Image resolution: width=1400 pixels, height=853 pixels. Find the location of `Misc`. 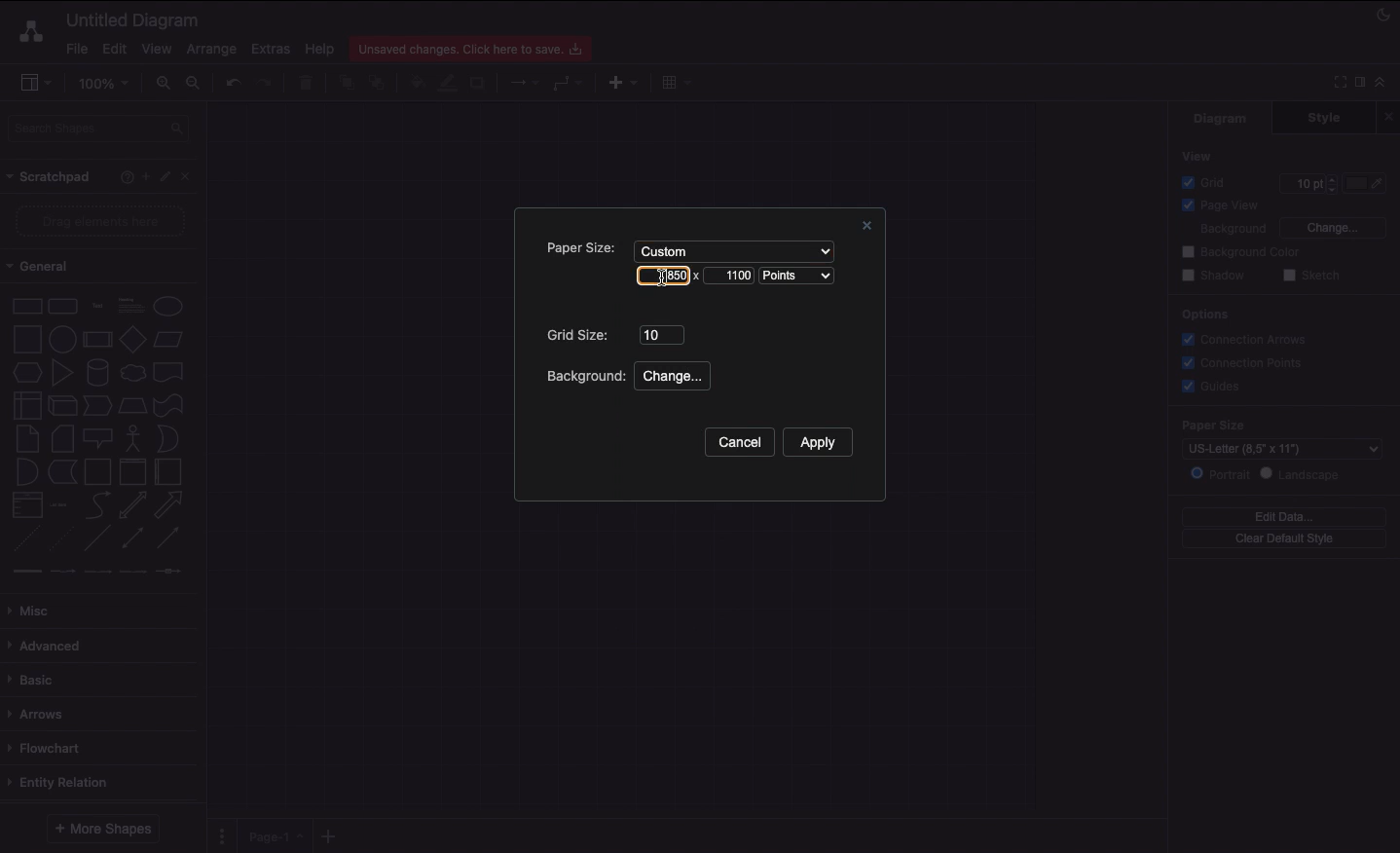

Misc is located at coordinates (34, 611).